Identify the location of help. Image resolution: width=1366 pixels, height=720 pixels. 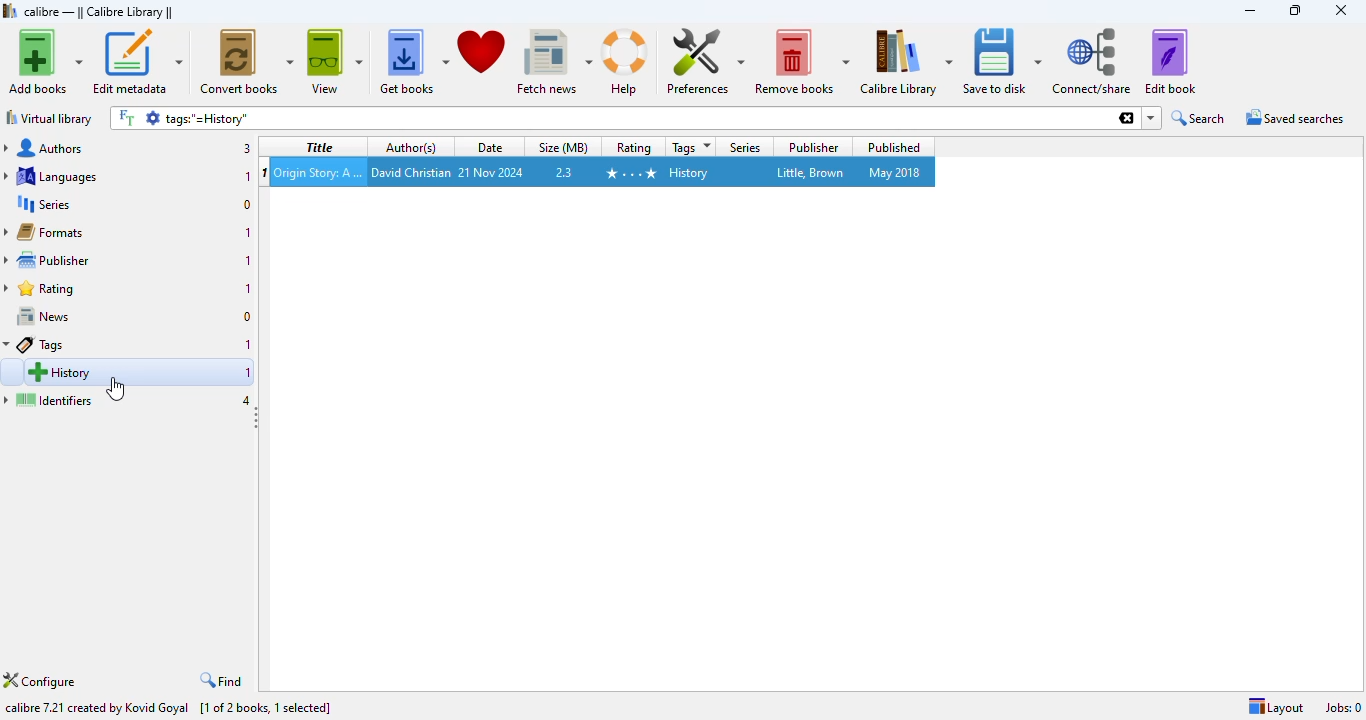
(624, 61).